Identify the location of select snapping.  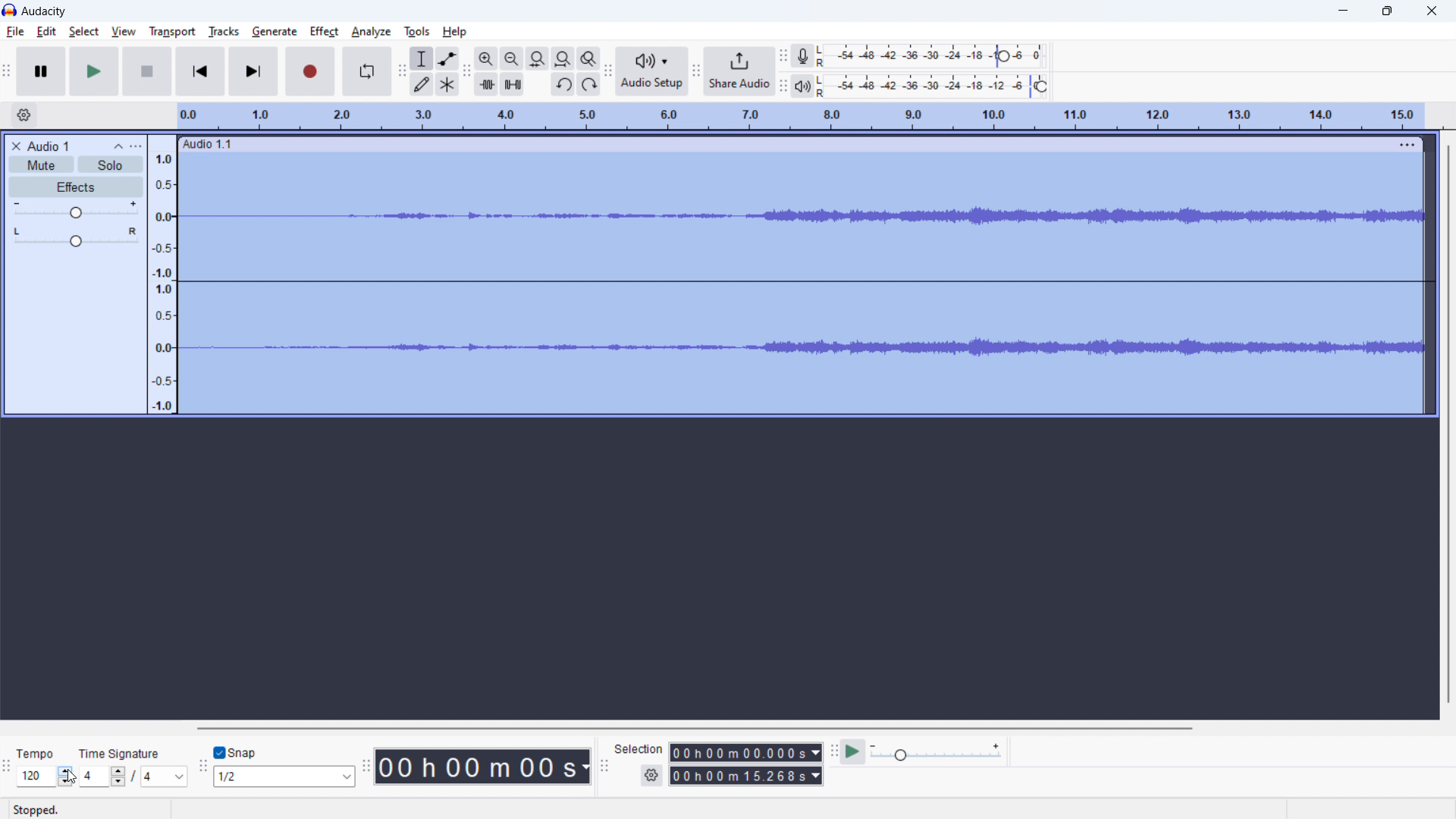
(285, 776).